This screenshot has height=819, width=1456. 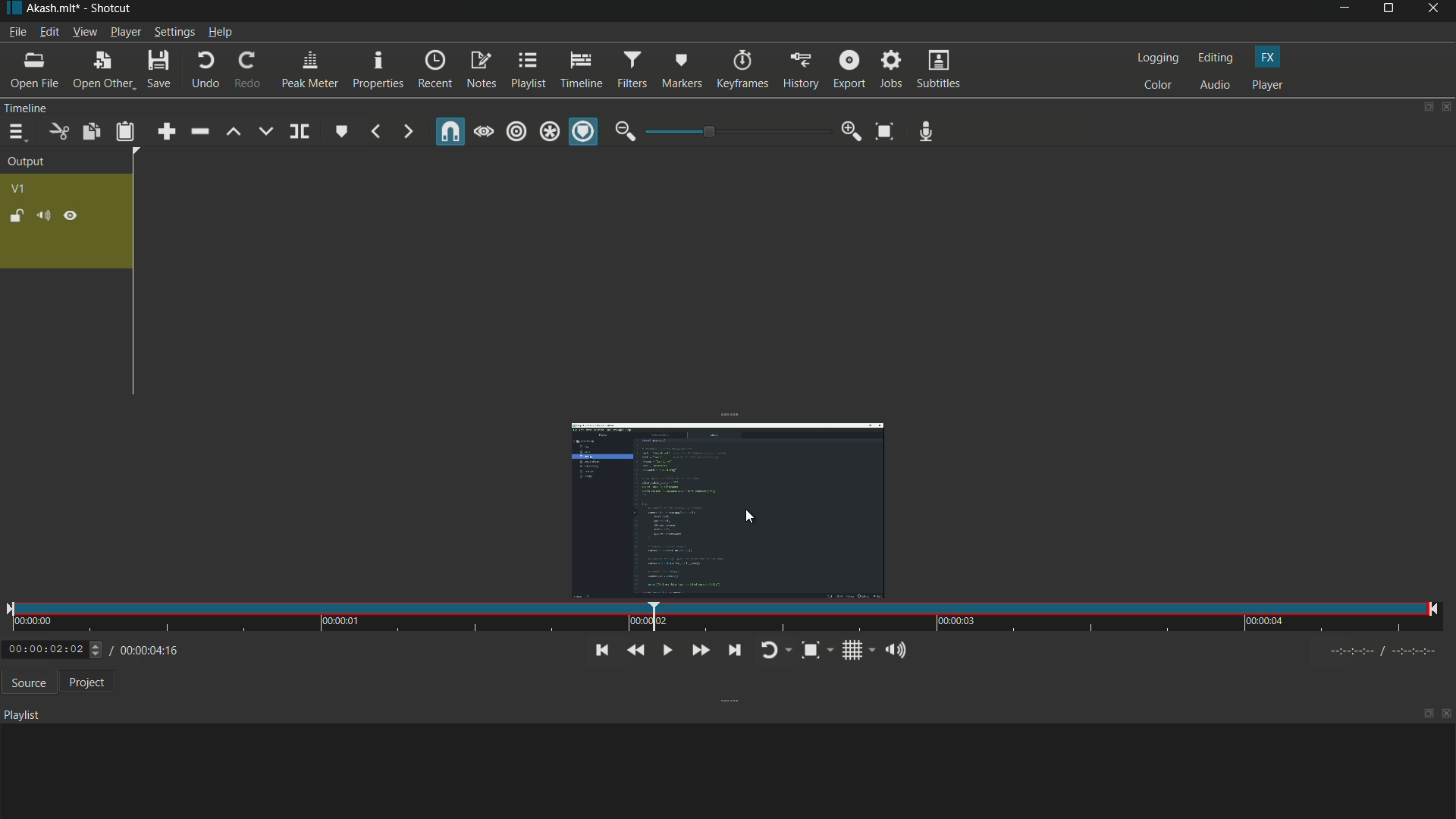 What do you see at coordinates (482, 71) in the screenshot?
I see `notes` at bounding box center [482, 71].